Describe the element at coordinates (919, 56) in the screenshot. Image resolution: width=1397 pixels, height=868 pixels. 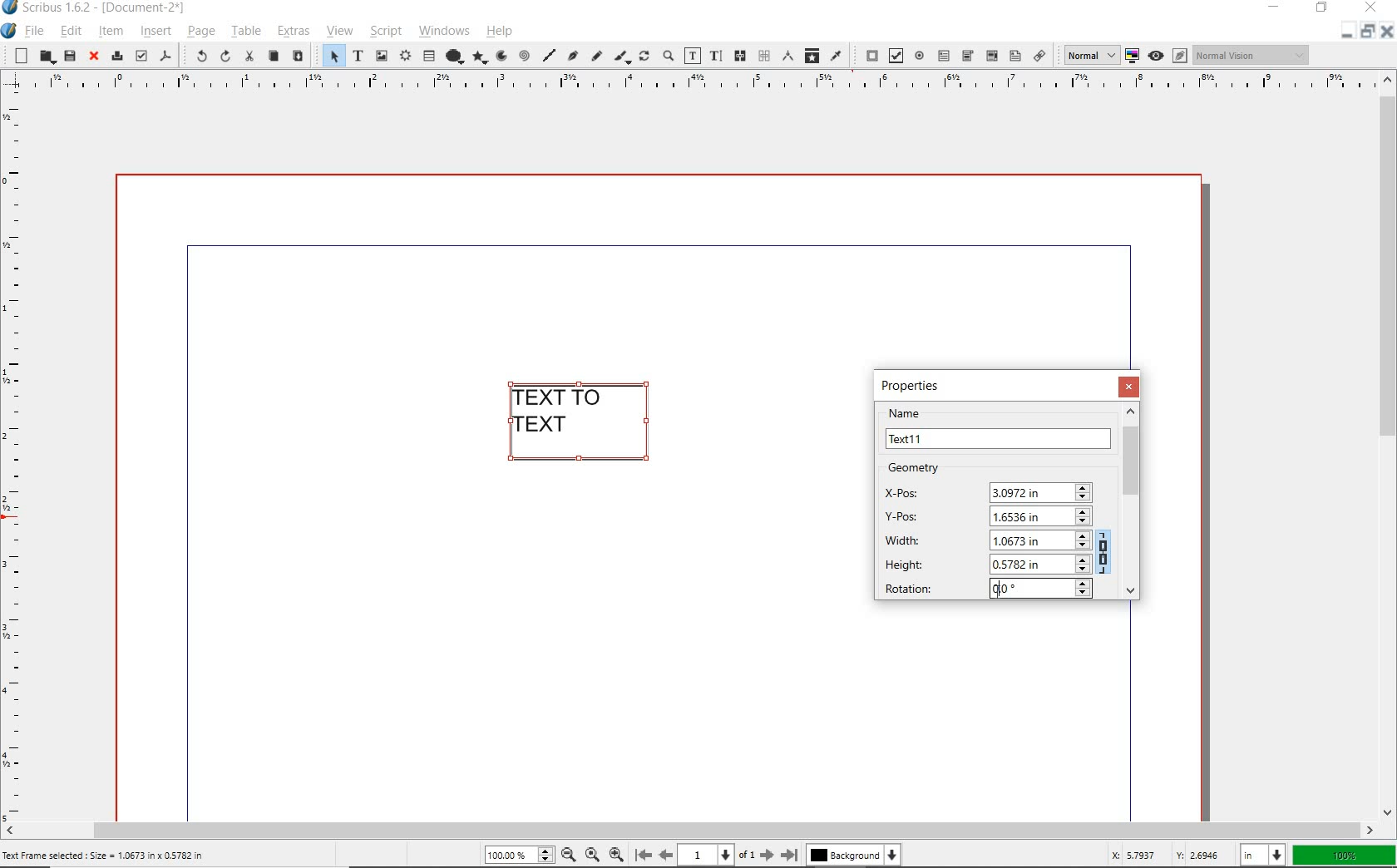
I see `pdf radio button` at that location.